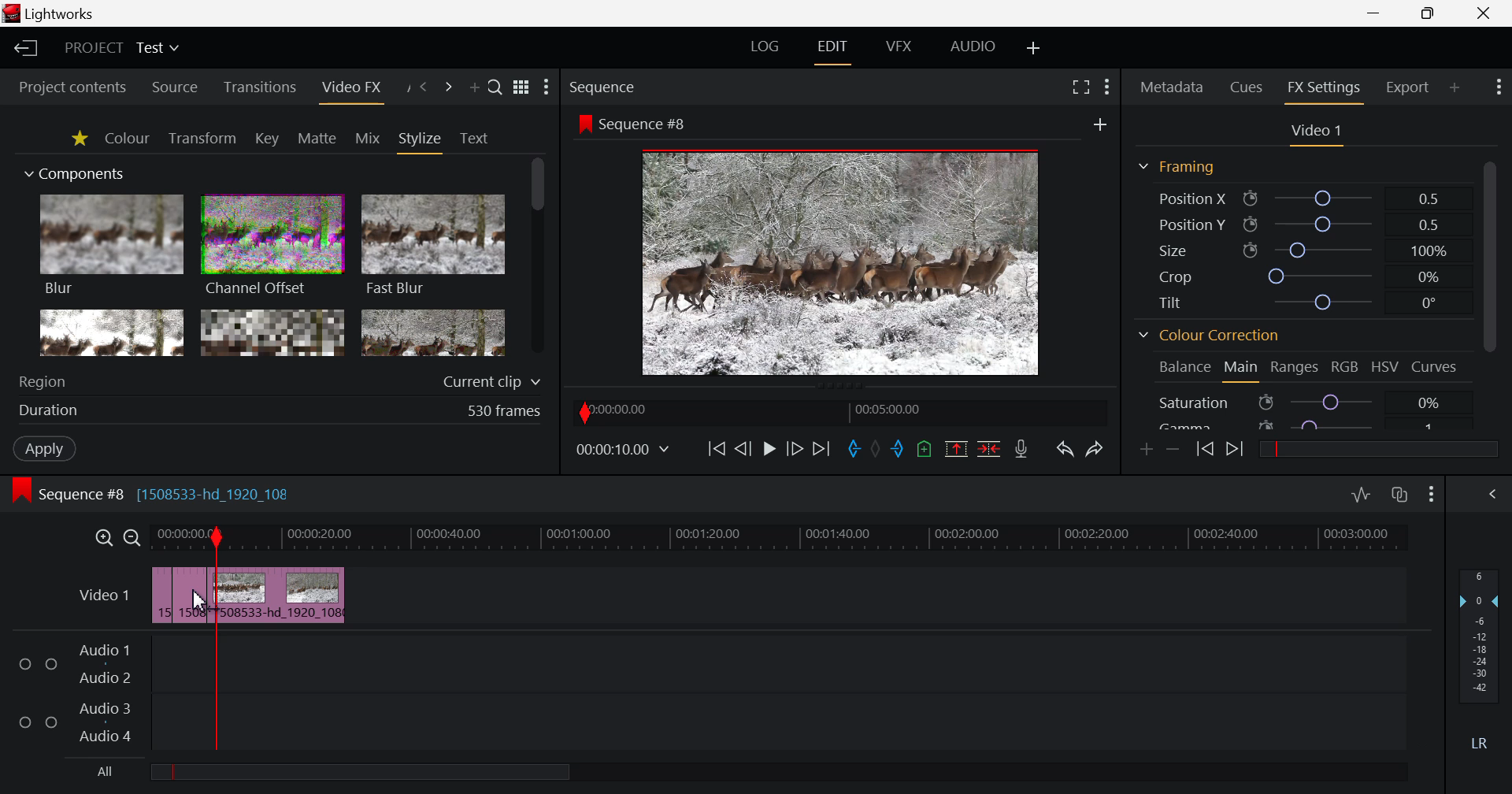 This screenshot has width=1512, height=794. Describe the element at coordinates (1436, 366) in the screenshot. I see `Curves` at that location.